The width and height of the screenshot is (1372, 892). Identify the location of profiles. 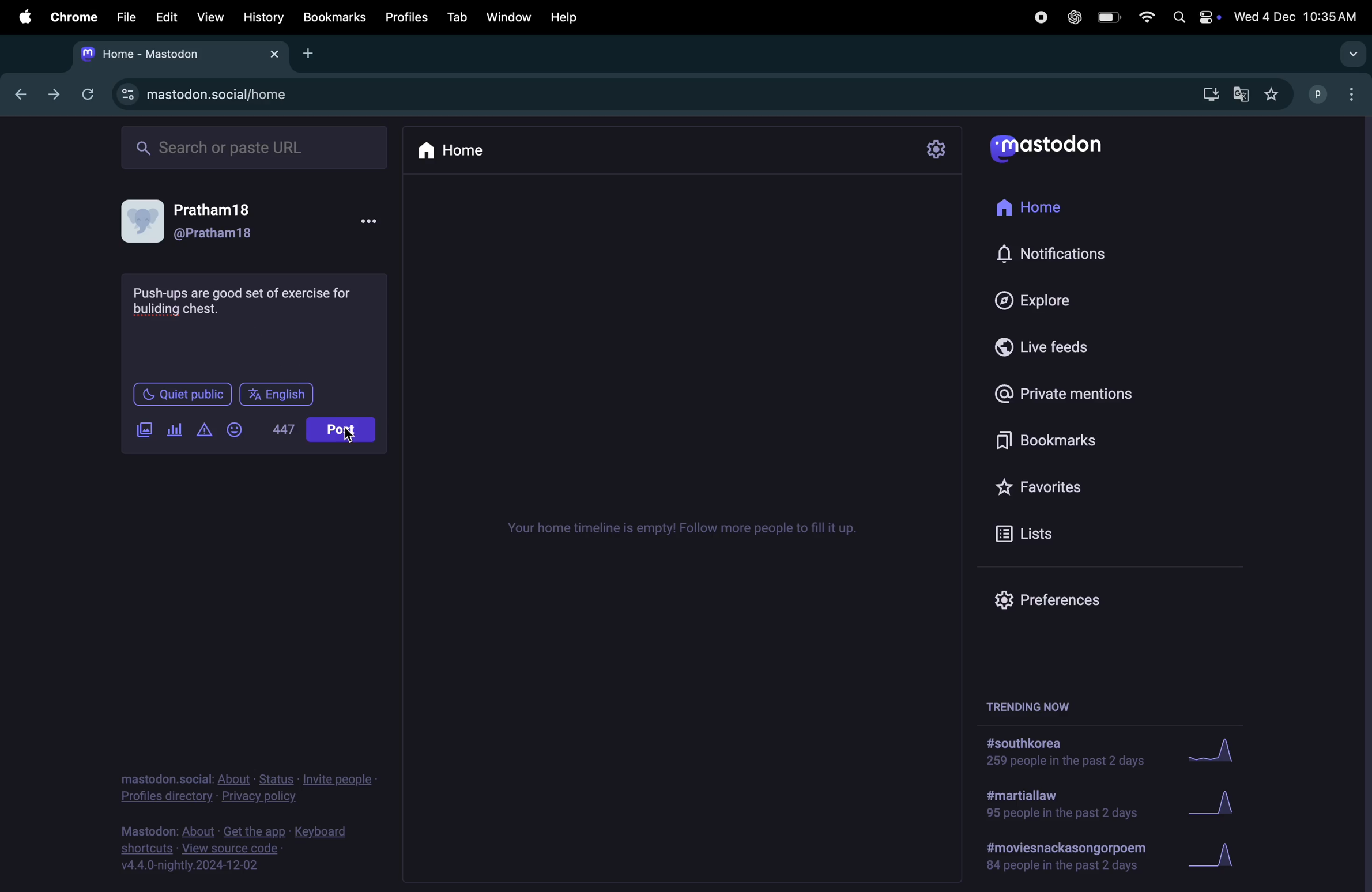
(408, 16).